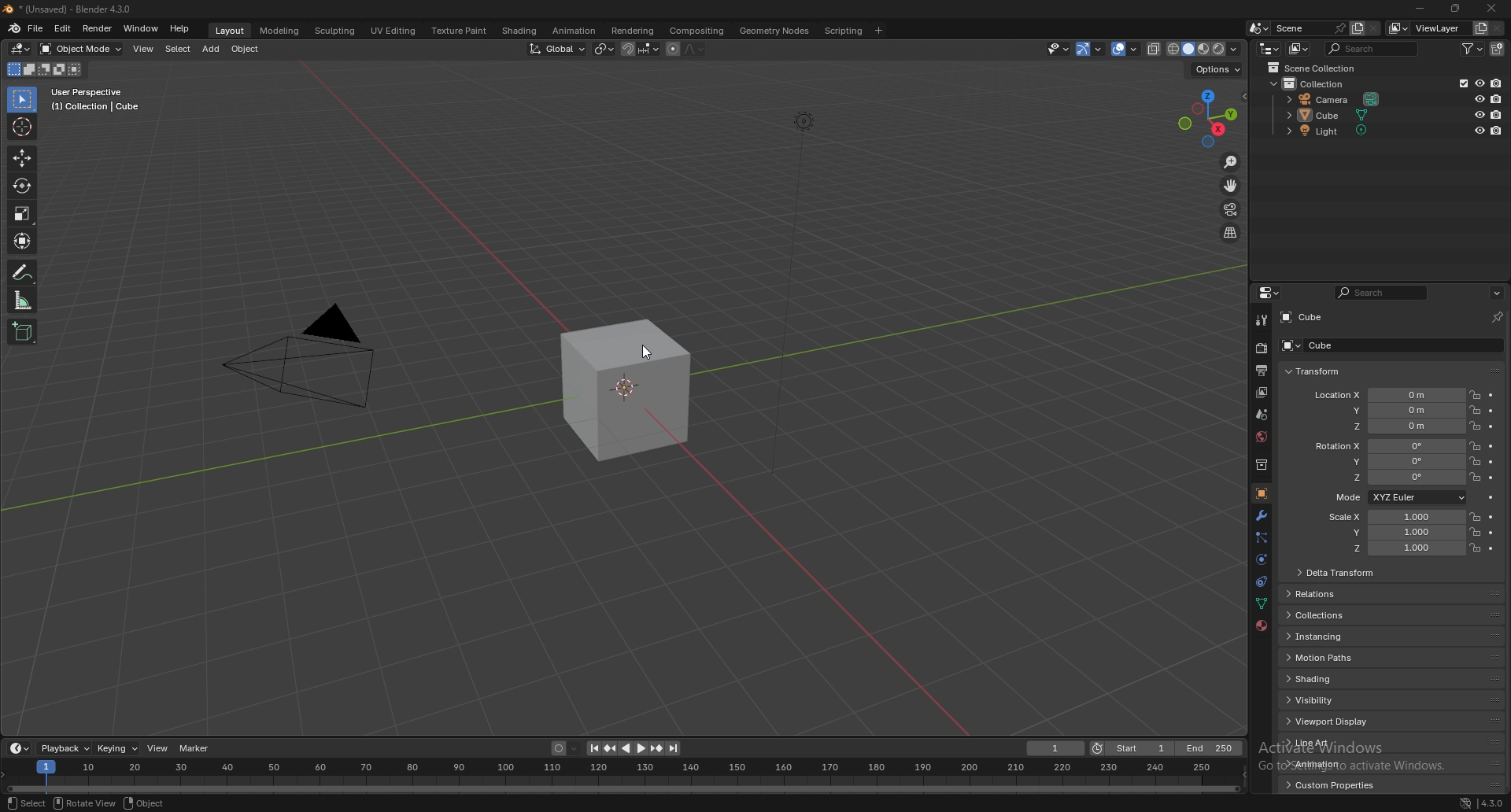 This screenshot has width=1511, height=812. Describe the element at coordinates (1269, 293) in the screenshot. I see `editor type` at that location.